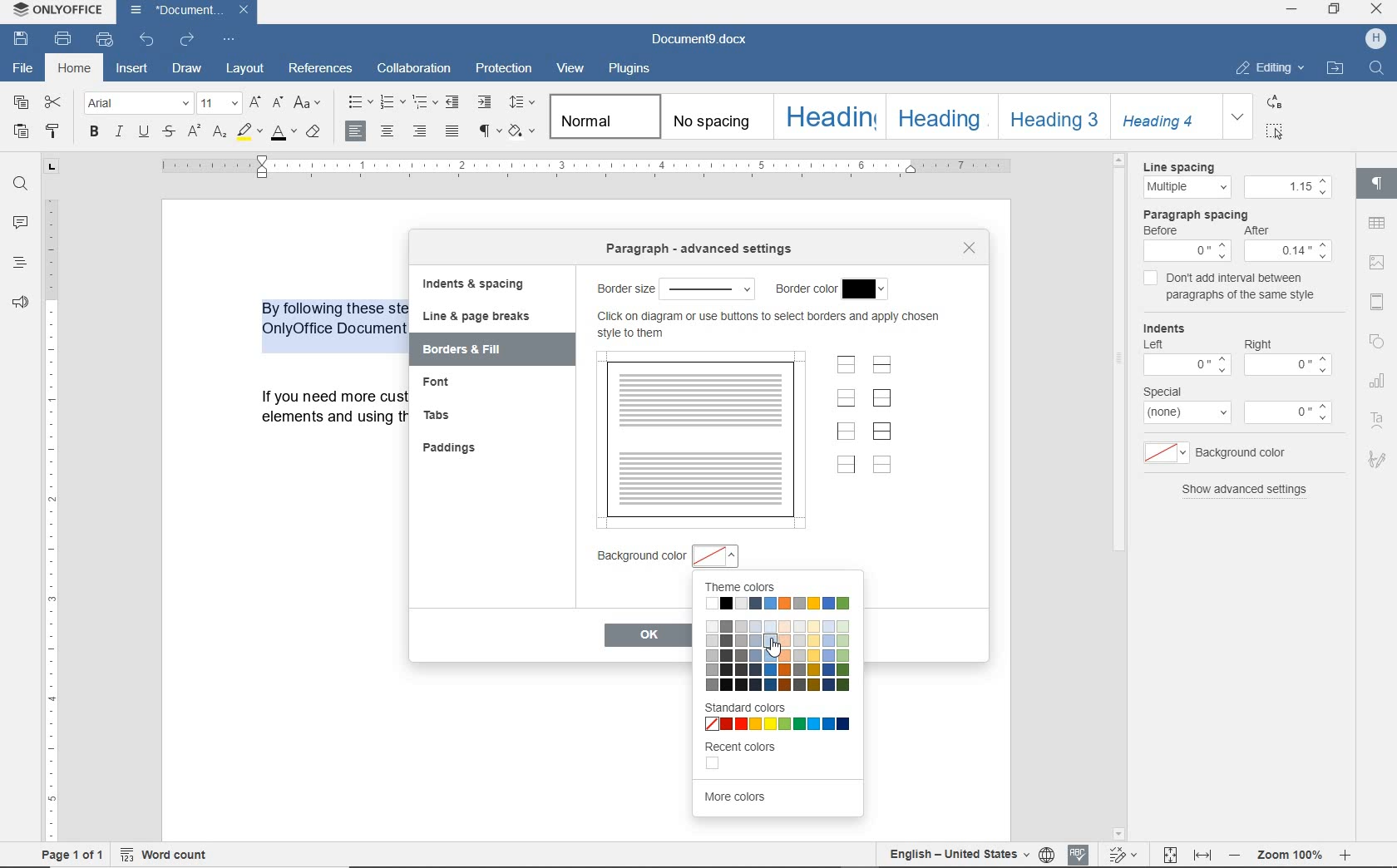 This screenshot has height=868, width=1397. Describe the element at coordinates (703, 441) in the screenshot. I see `preview` at that location.